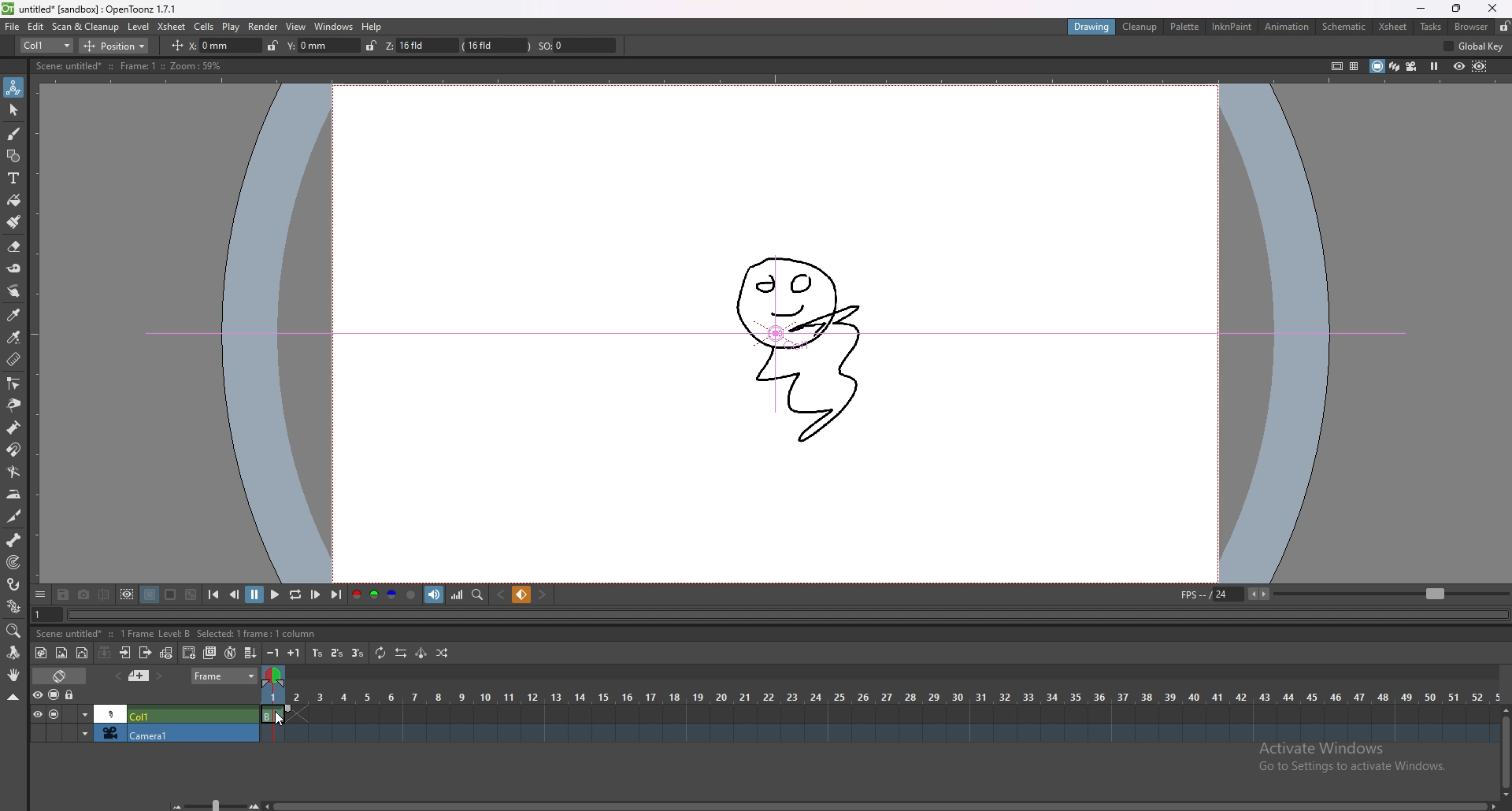 This screenshot has width=1512, height=811. Describe the element at coordinates (317, 594) in the screenshot. I see `next frame` at that location.